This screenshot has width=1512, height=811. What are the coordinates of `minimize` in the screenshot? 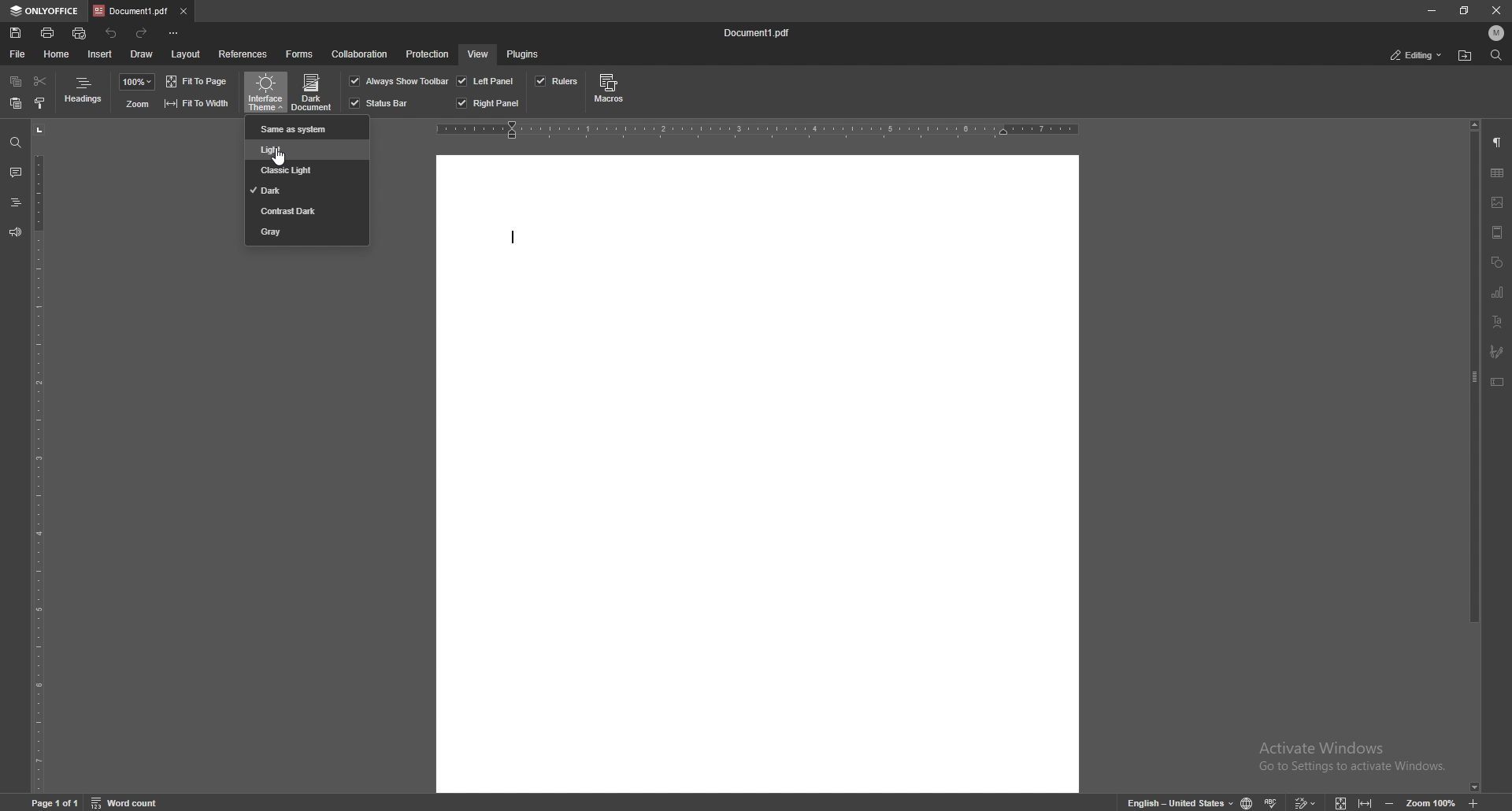 It's located at (1432, 10).